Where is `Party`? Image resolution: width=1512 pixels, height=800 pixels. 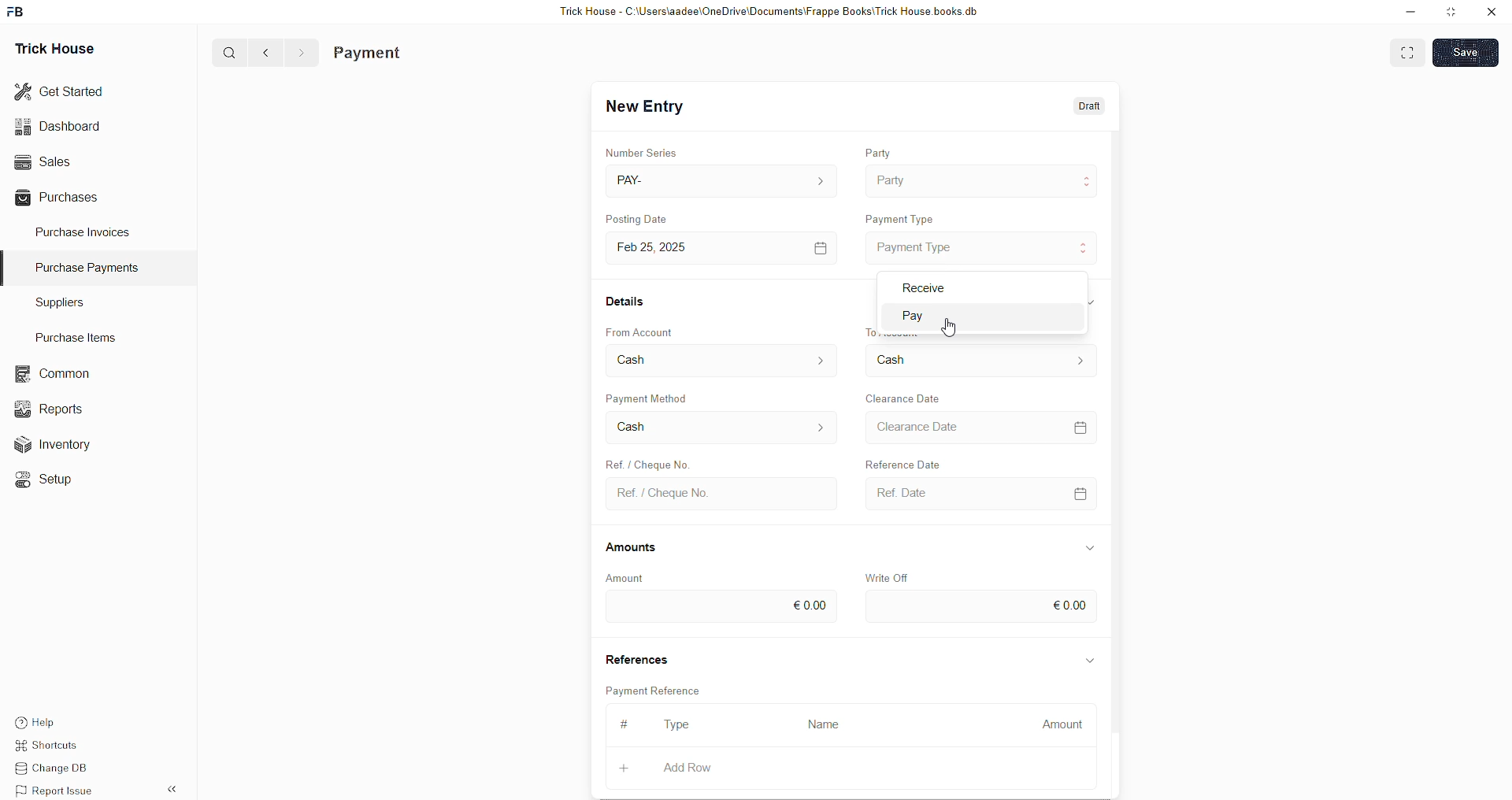 Party is located at coordinates (880, 149).